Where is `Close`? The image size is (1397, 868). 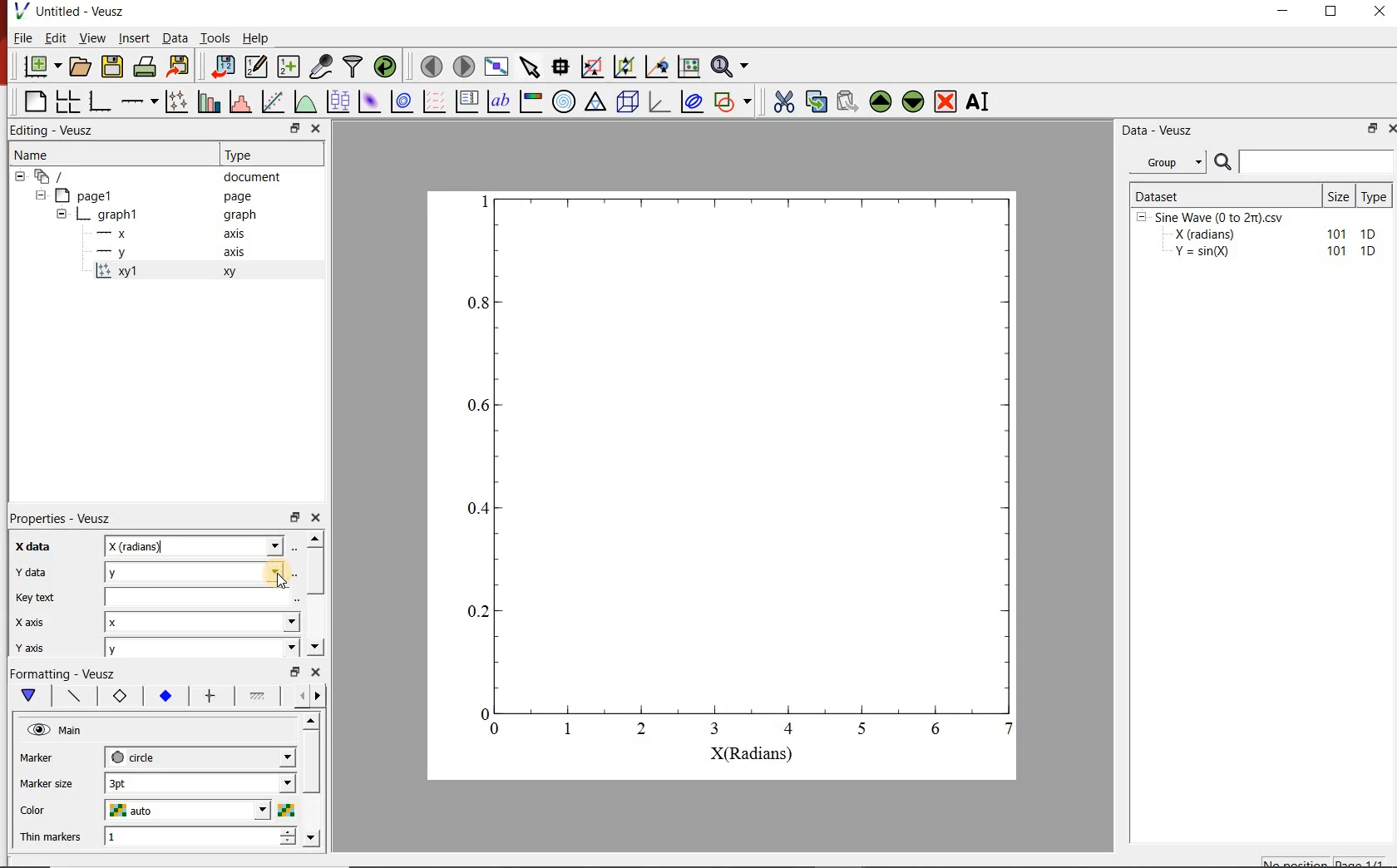 Close is located at coordinates (316, 130).